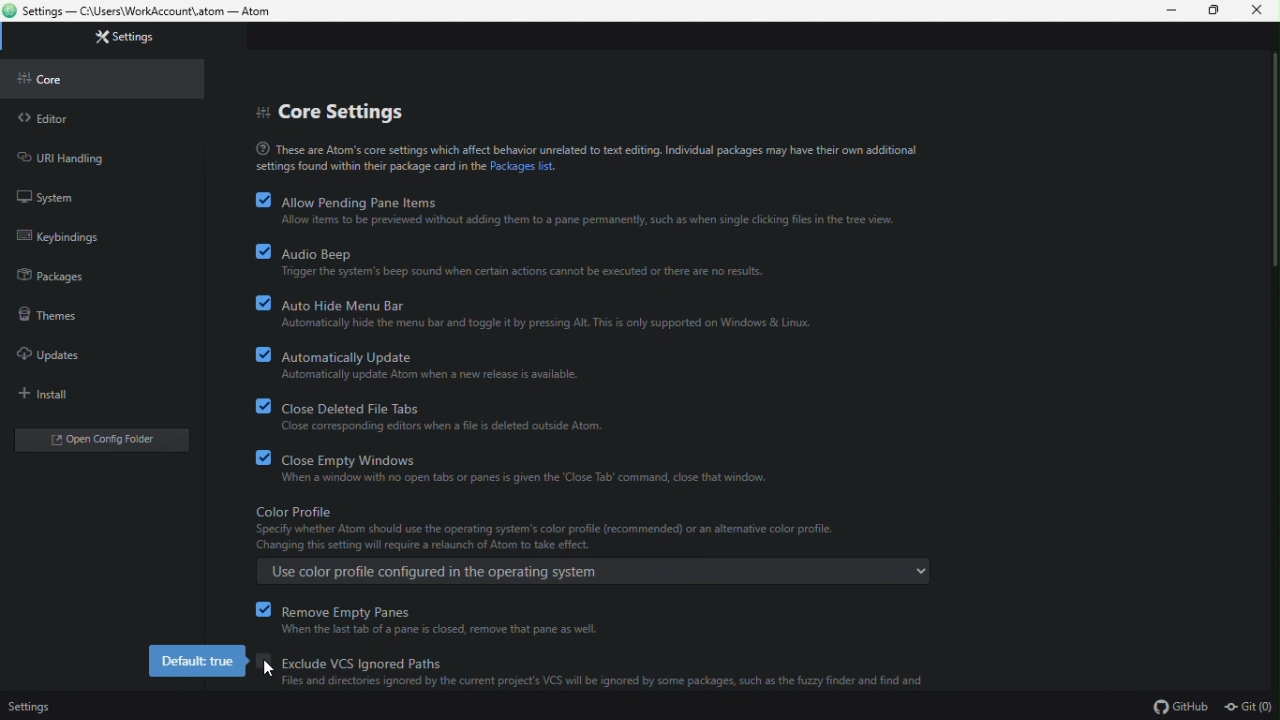  What do you see at coordinates (1219, 11) in the screenshot?
I see `Restore` at bounding box center [1219, 11].